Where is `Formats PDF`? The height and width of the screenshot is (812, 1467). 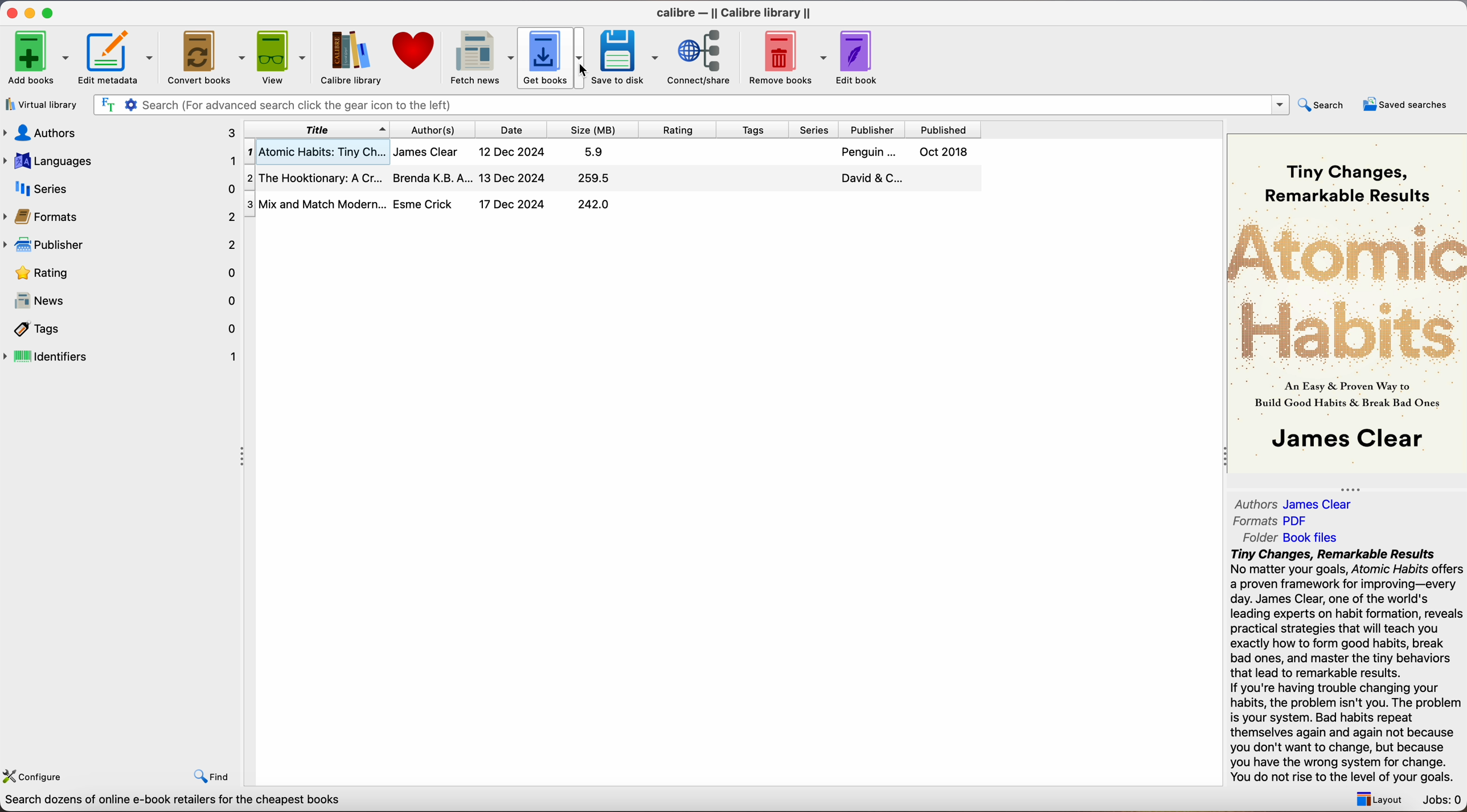 Formats PDF is located at coordinates (1272, 521).